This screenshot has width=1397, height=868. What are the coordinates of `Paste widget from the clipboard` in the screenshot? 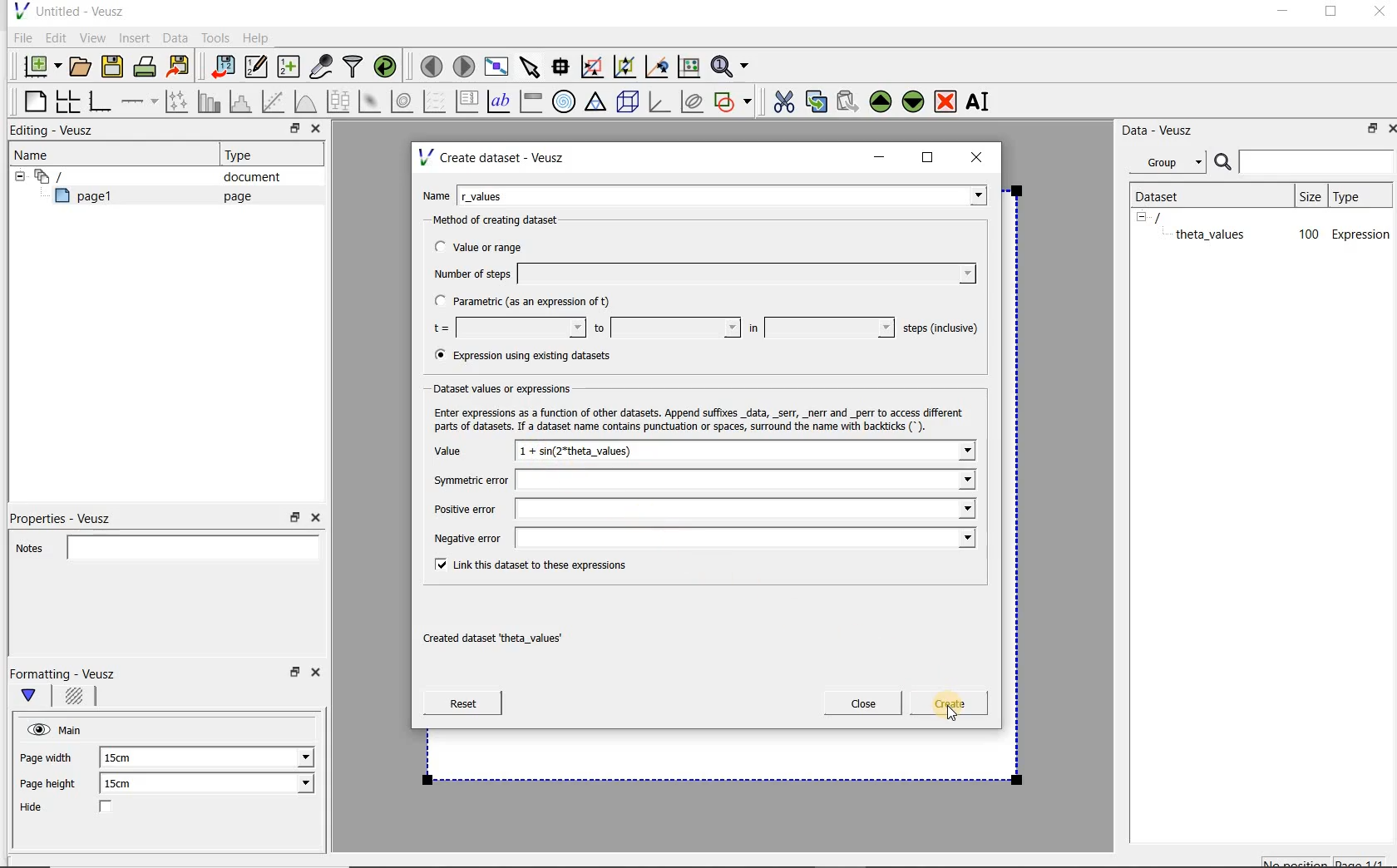 It's located at (850, 101).